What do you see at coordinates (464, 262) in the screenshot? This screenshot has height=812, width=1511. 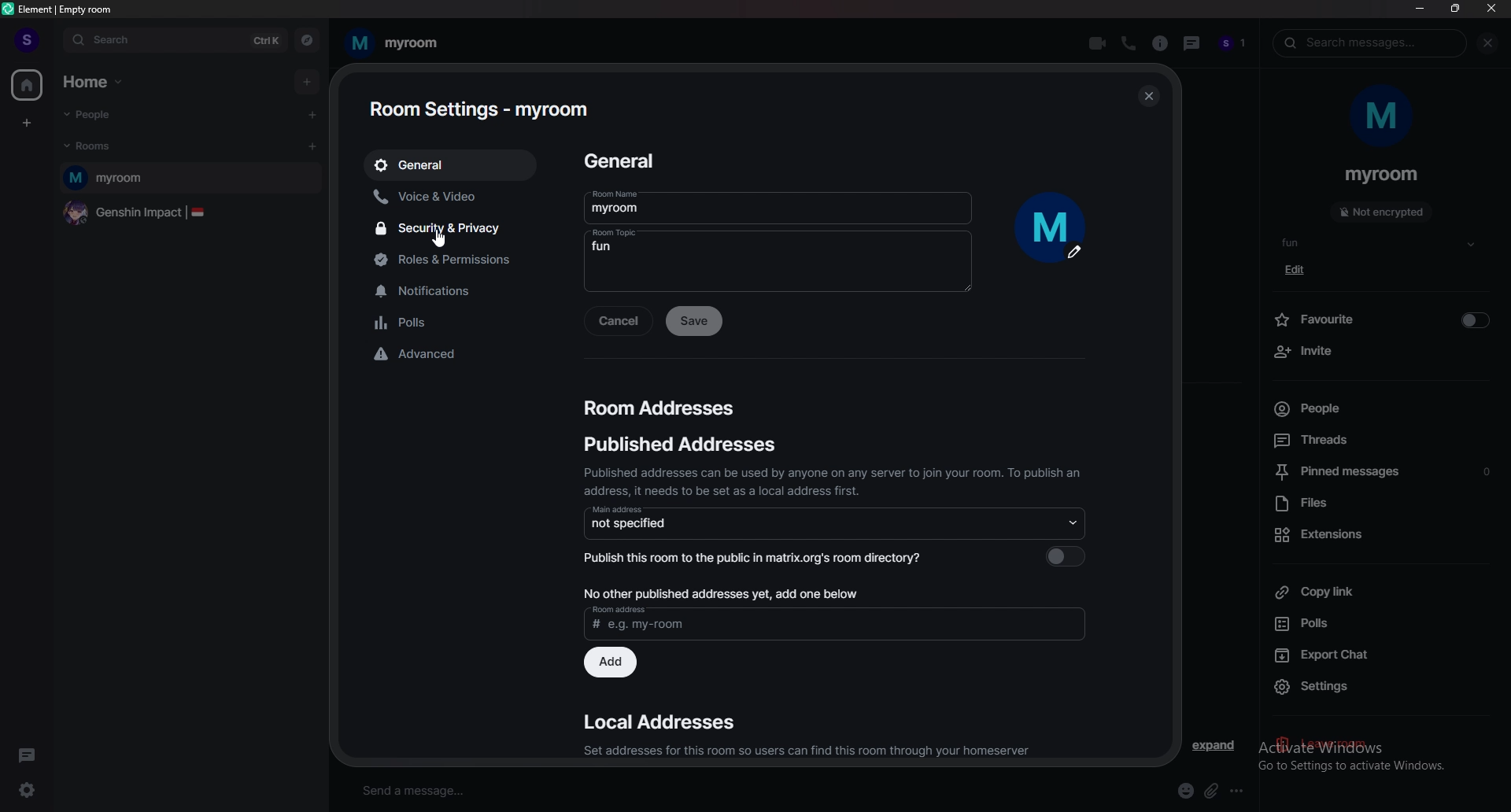 I see `roles and permissions` at bounding box center [464, 262].